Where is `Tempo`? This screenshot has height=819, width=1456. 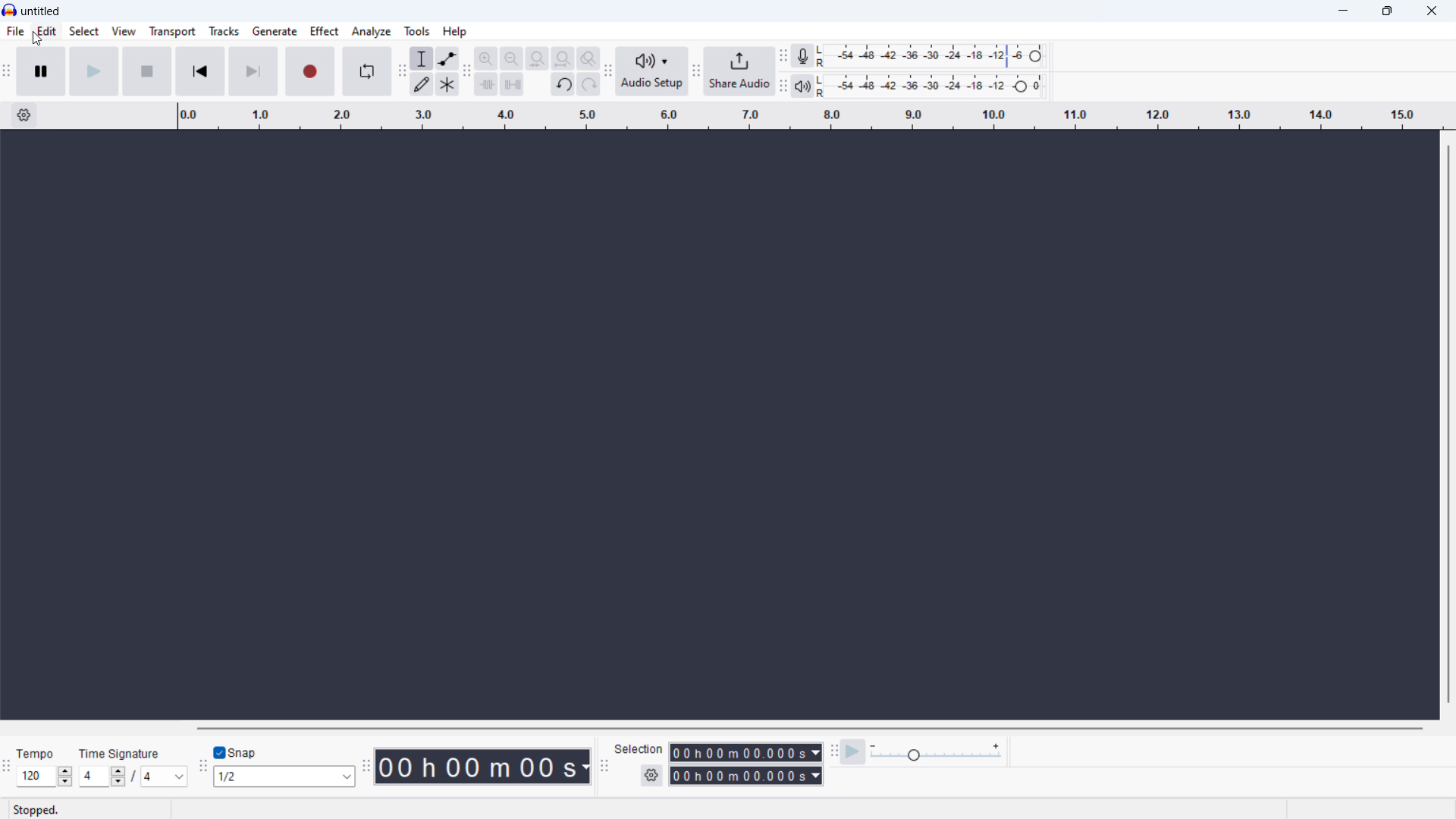 Tempo is located at coordinates (36, 754).